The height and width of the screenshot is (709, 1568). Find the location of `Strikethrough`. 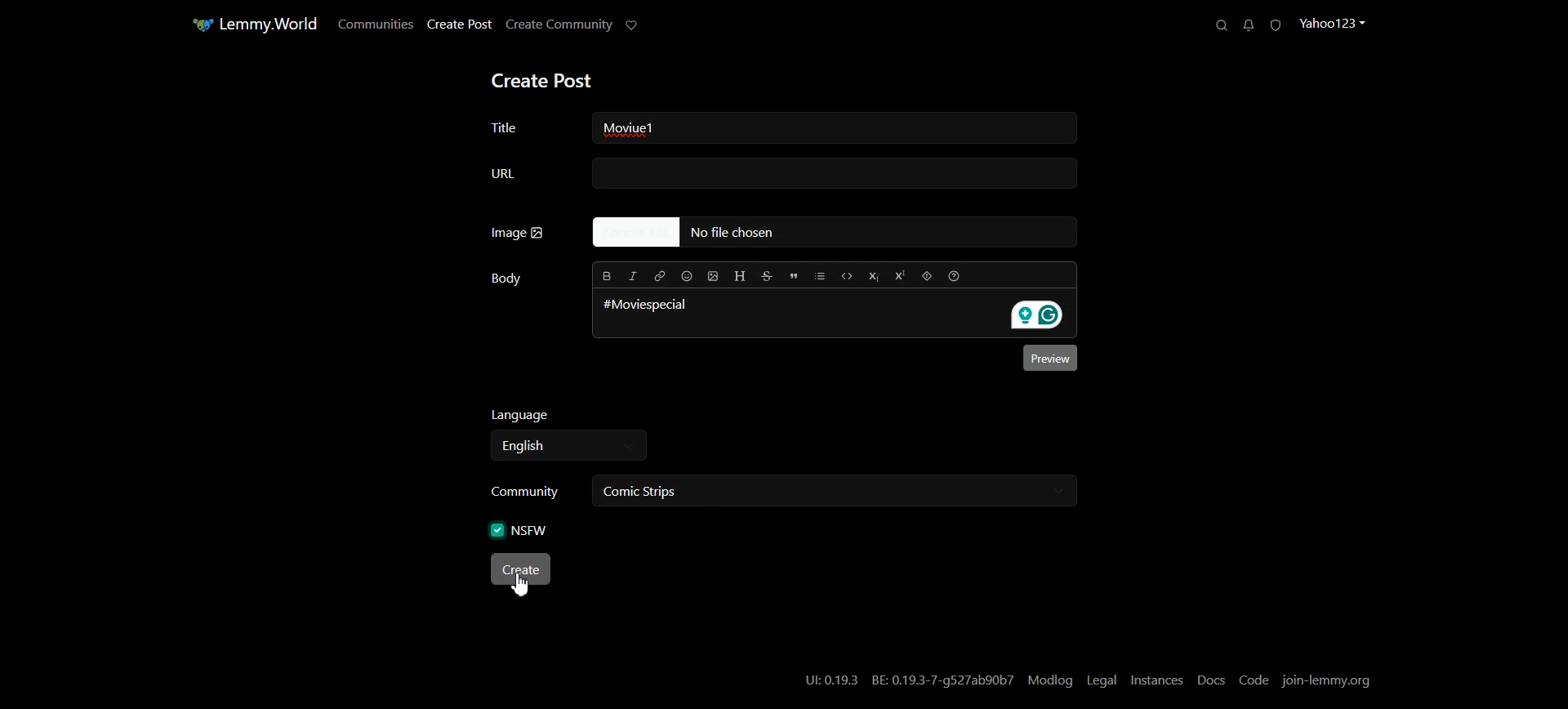

Strikethrough is located at coordinates (768, 274).